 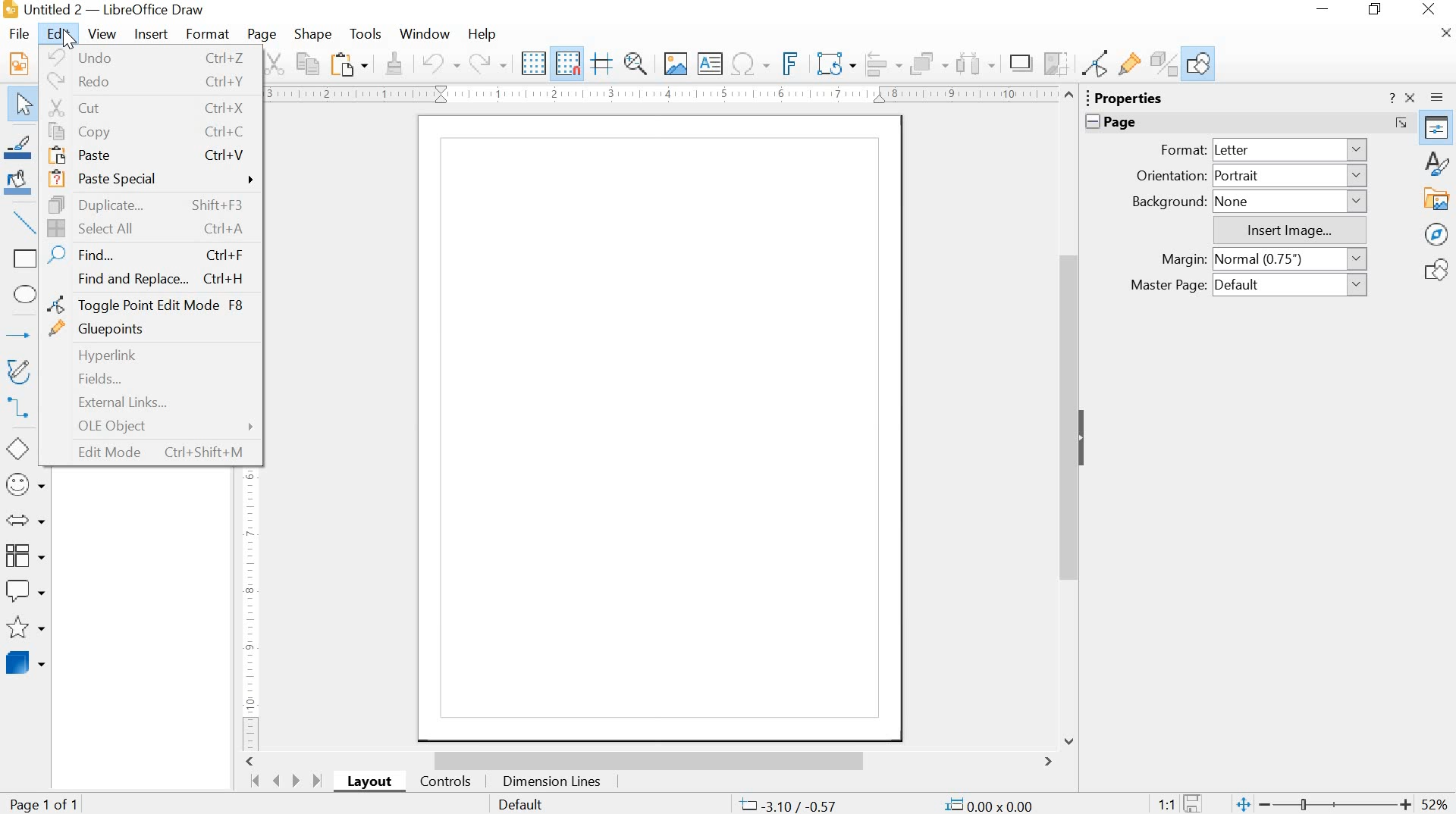 I want to click on File, so click(x=20, y=33).